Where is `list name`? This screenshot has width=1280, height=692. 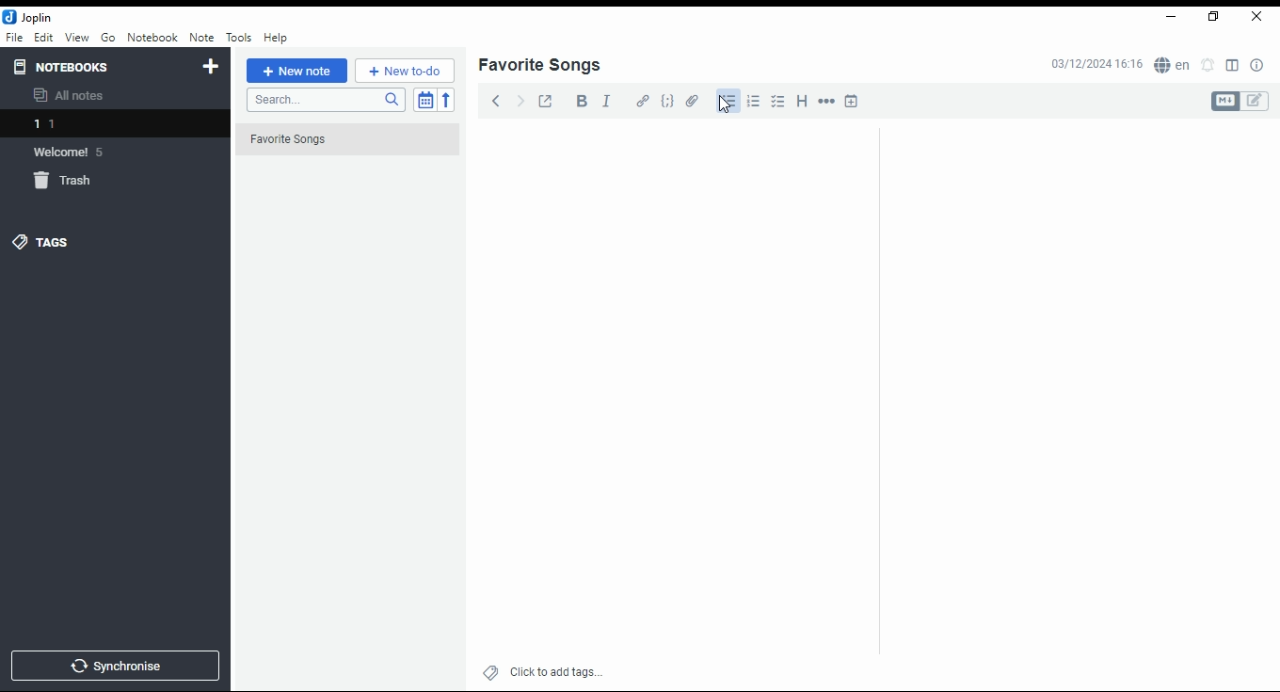
list name is located at coordinates (539, 66).